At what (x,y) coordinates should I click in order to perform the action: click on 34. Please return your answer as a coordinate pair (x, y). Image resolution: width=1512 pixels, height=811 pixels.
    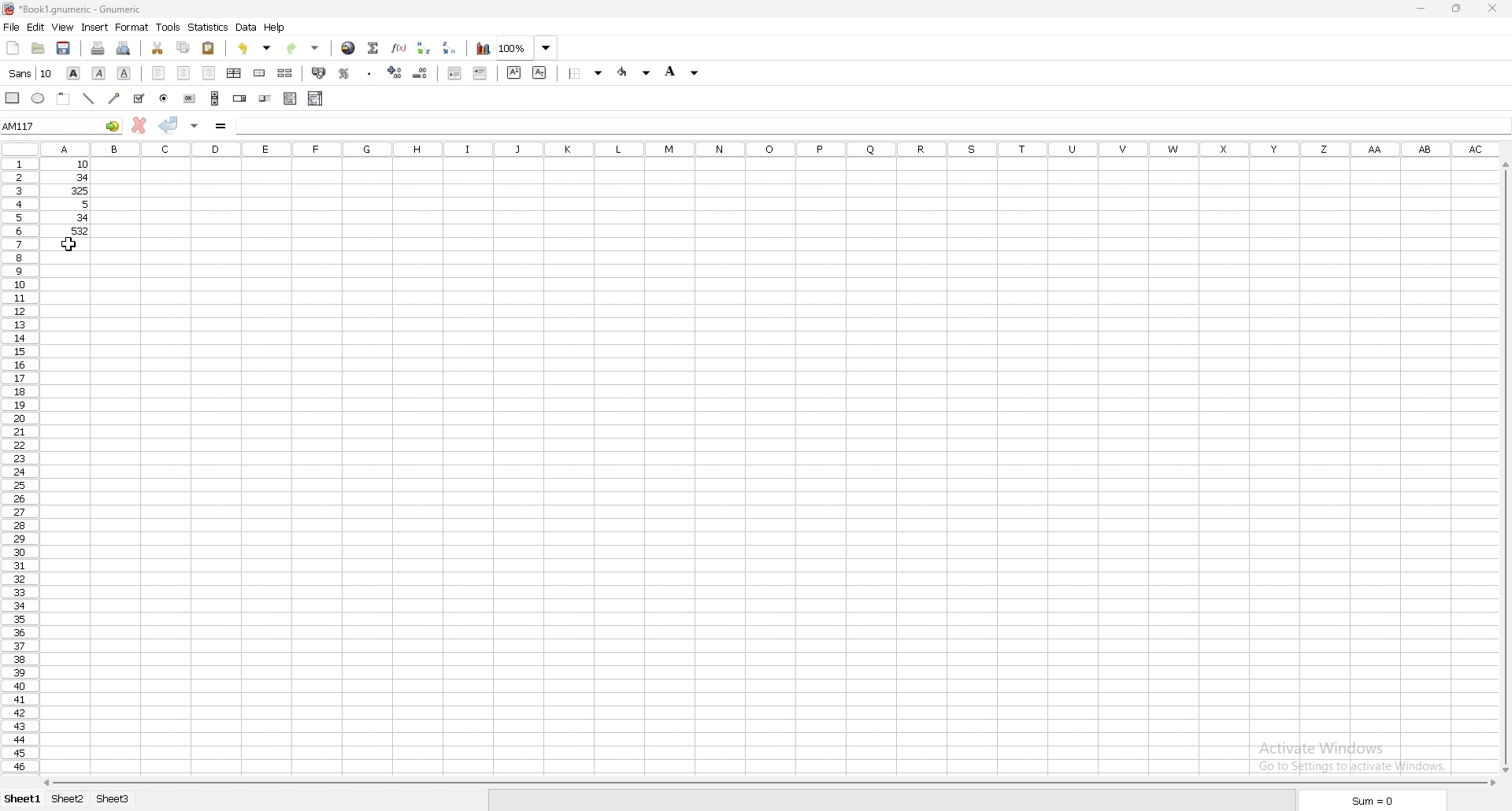
    Looking at the image, I should click on (71, 177).